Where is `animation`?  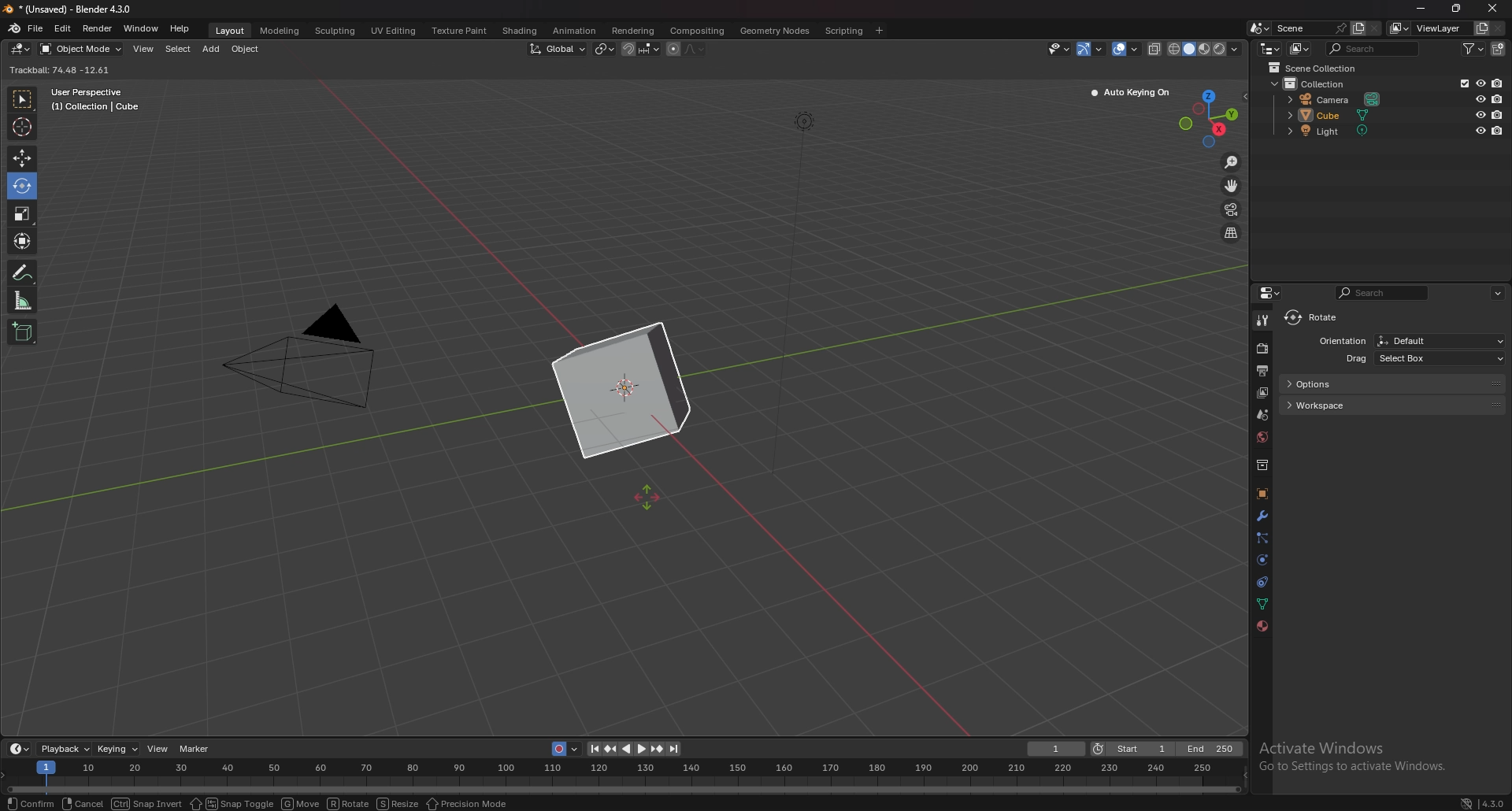 animation is located at coordinates (575, 31).